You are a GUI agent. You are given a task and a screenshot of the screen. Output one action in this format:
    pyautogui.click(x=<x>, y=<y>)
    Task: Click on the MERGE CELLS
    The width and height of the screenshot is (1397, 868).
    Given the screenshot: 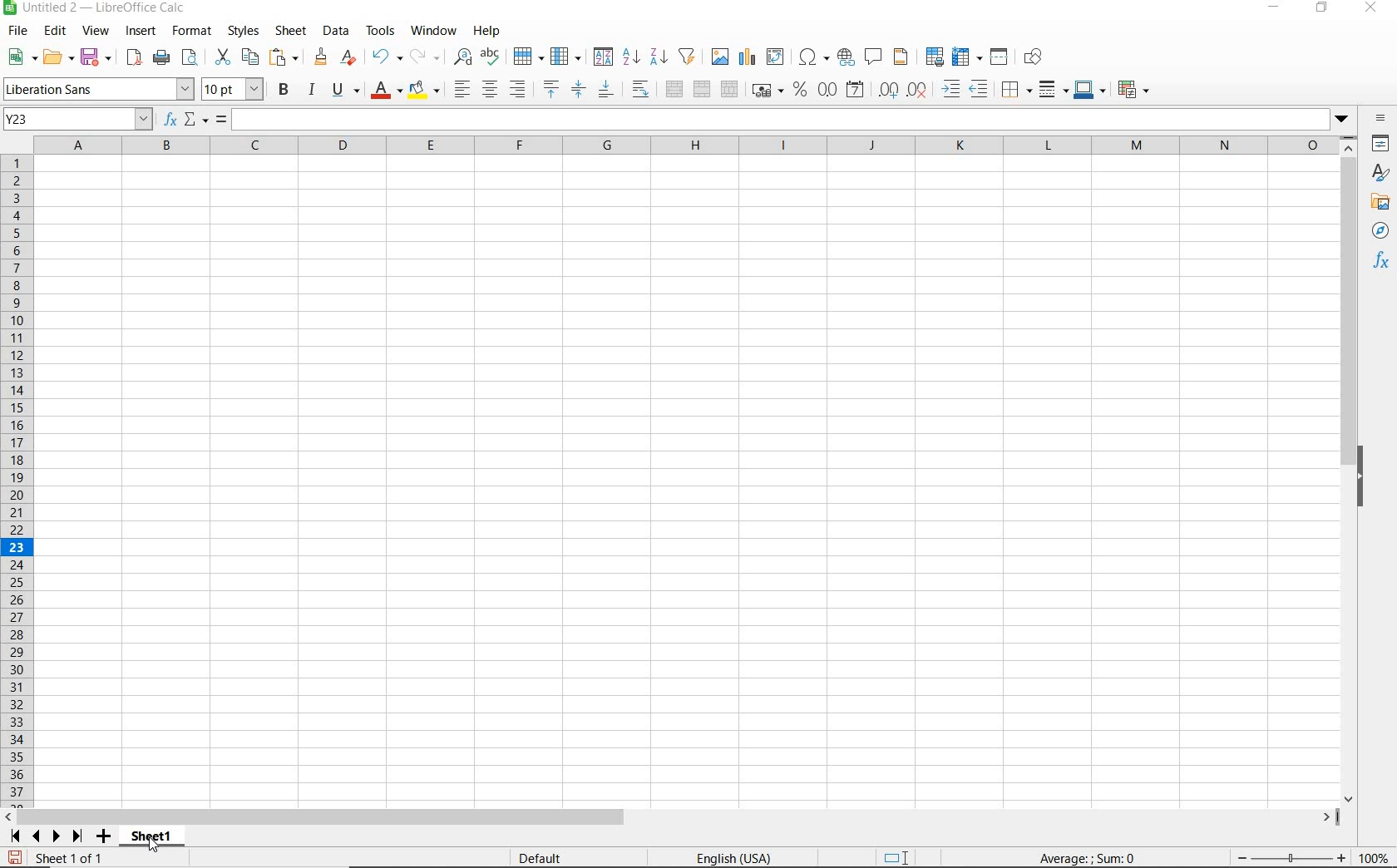 What is the action you would take?
    pyautogui.click(x=702, y=90)
    